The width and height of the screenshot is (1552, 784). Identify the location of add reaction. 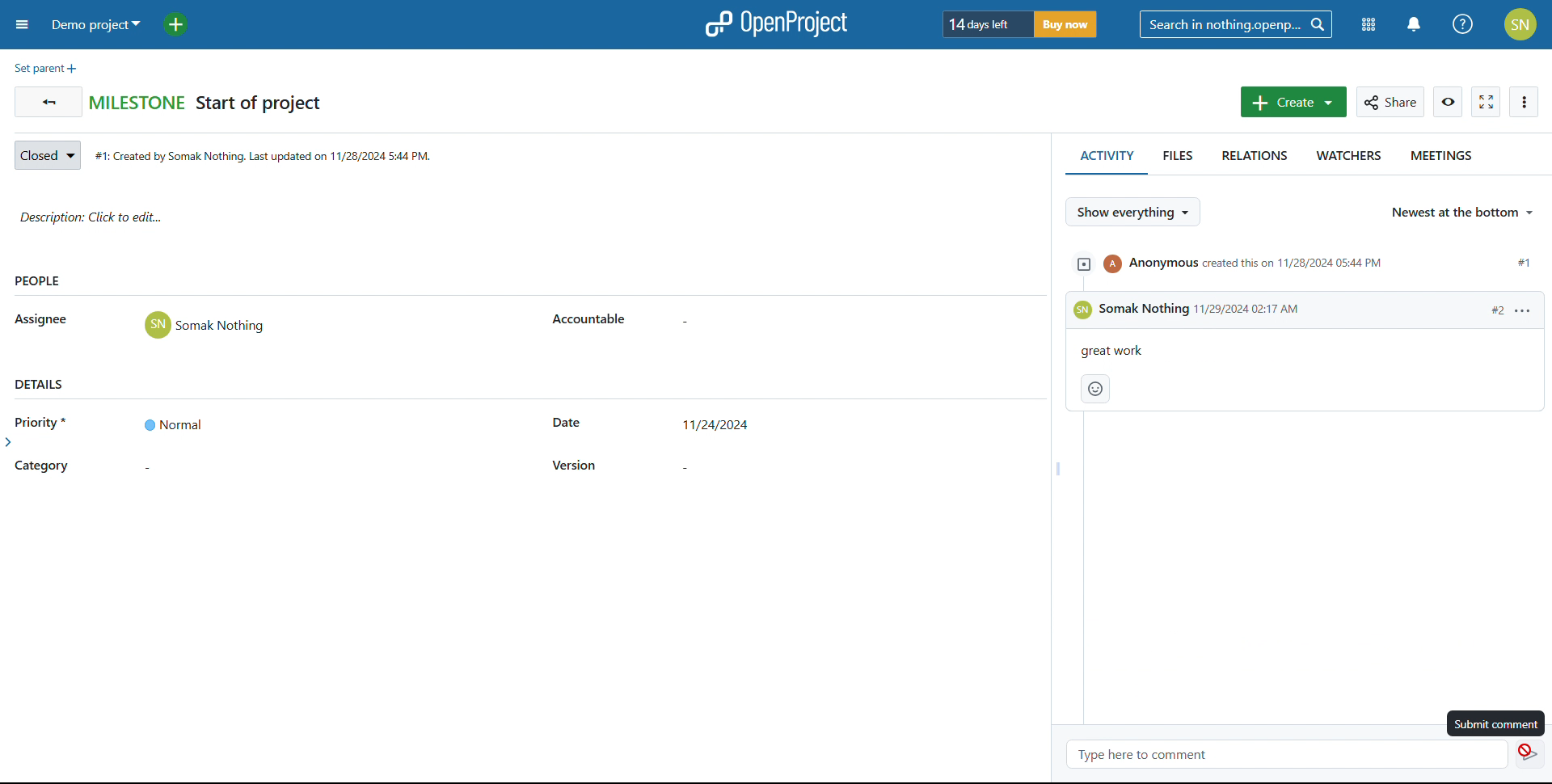
(1093, 389).